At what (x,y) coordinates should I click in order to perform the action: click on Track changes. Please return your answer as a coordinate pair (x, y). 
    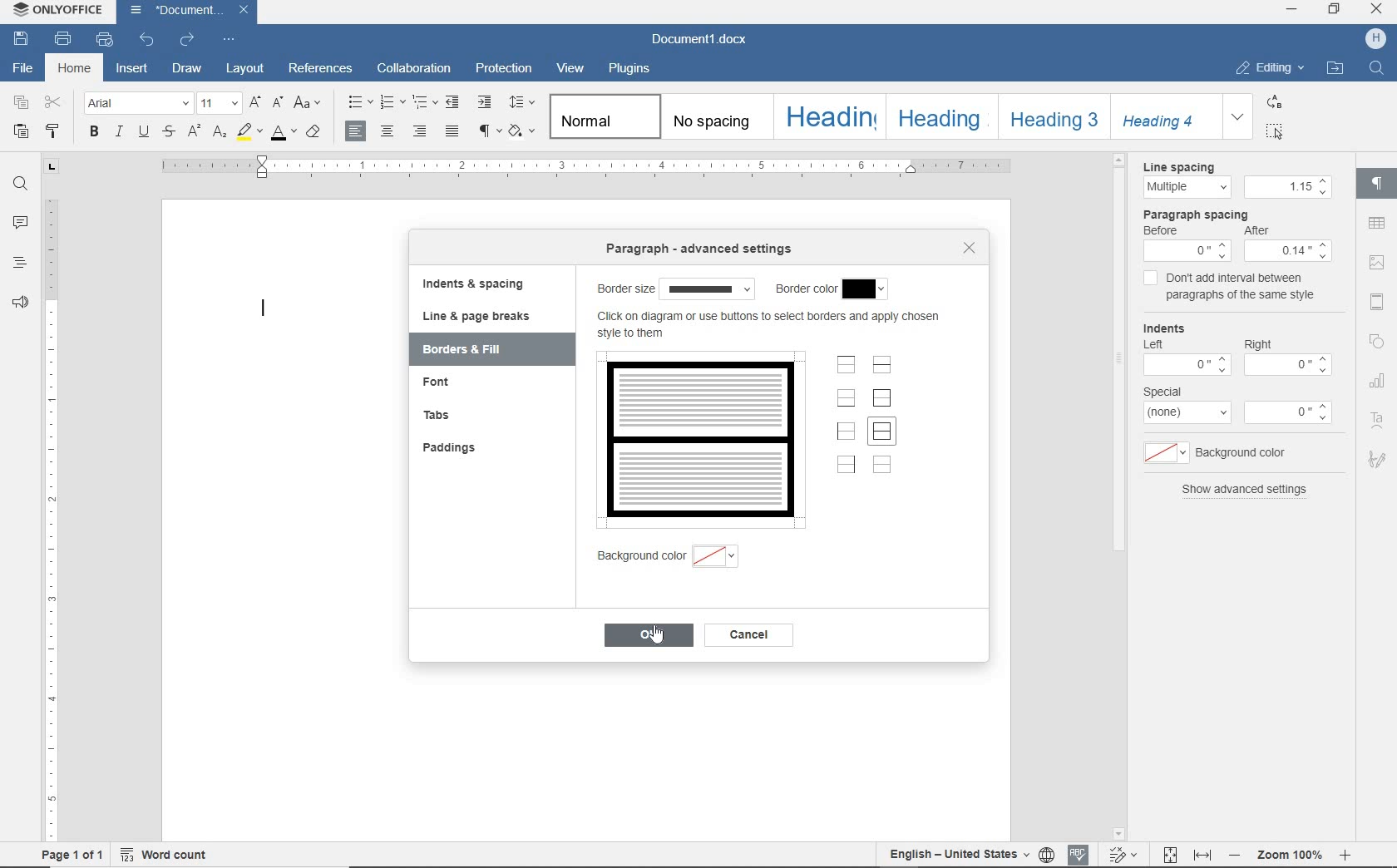
    Looking at the image, I should click on (1124, 856).